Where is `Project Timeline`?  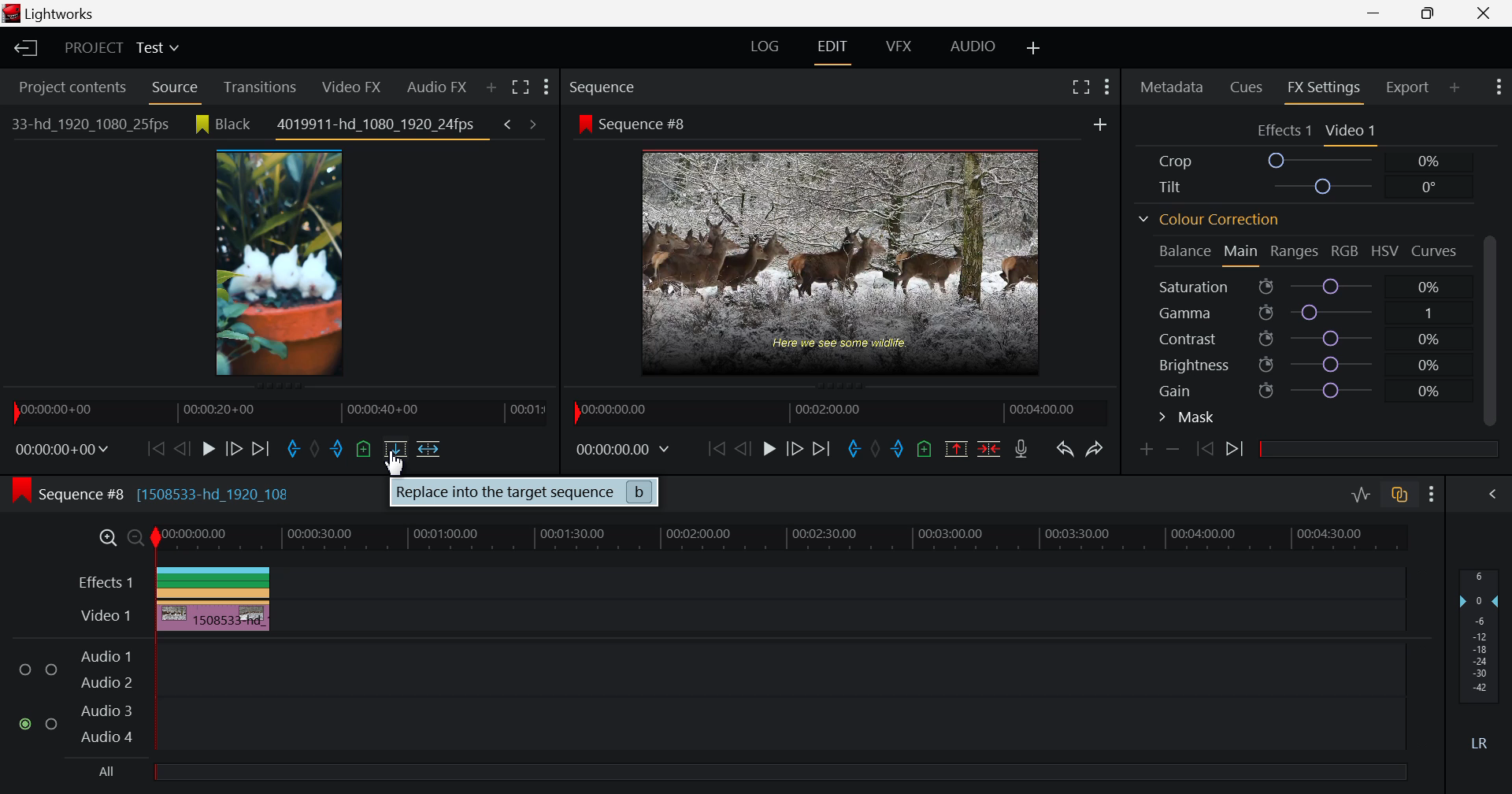 Project Timeline is located at coordinates (783, 540).